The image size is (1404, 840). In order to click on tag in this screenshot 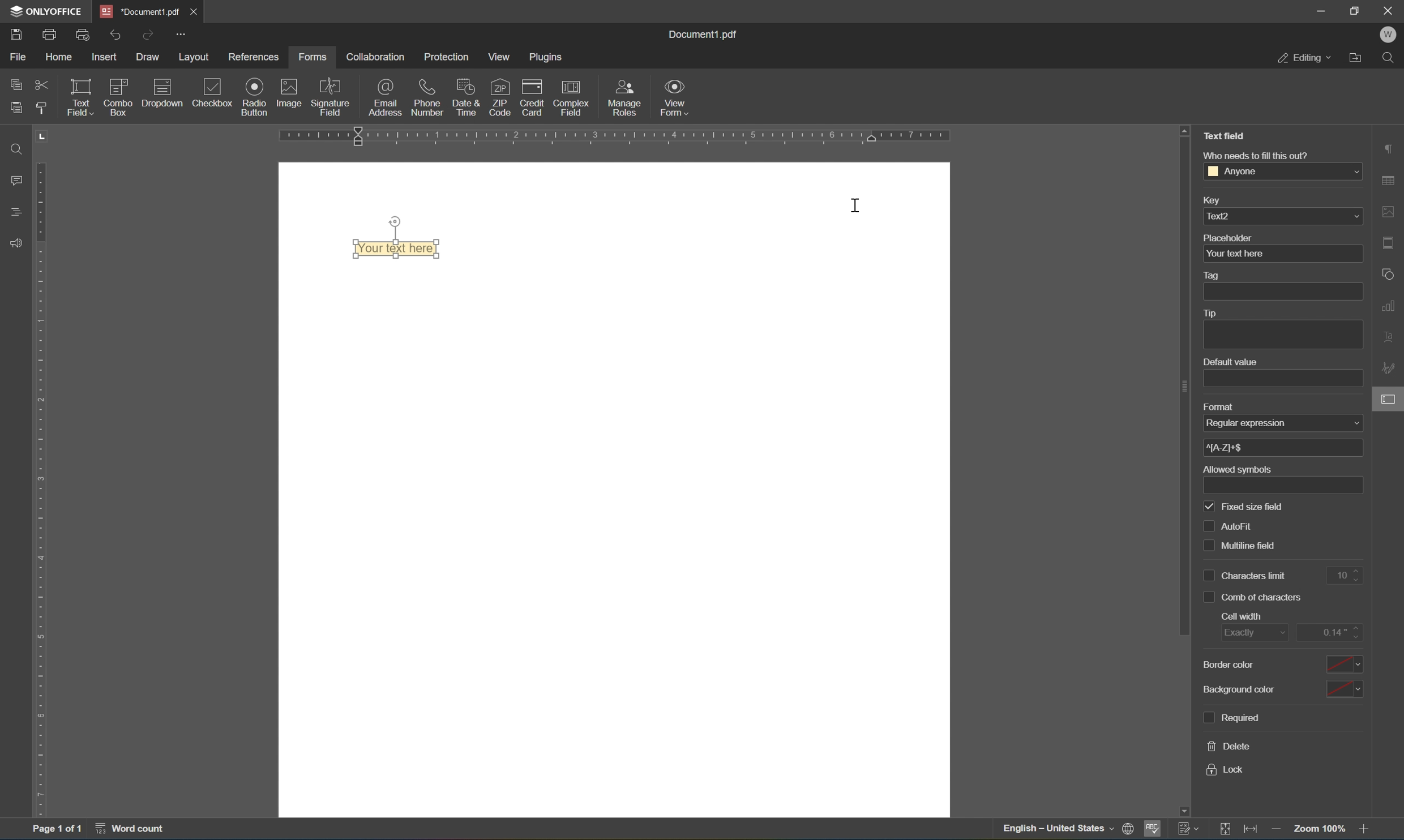, I will do `click(1216, 274)`.